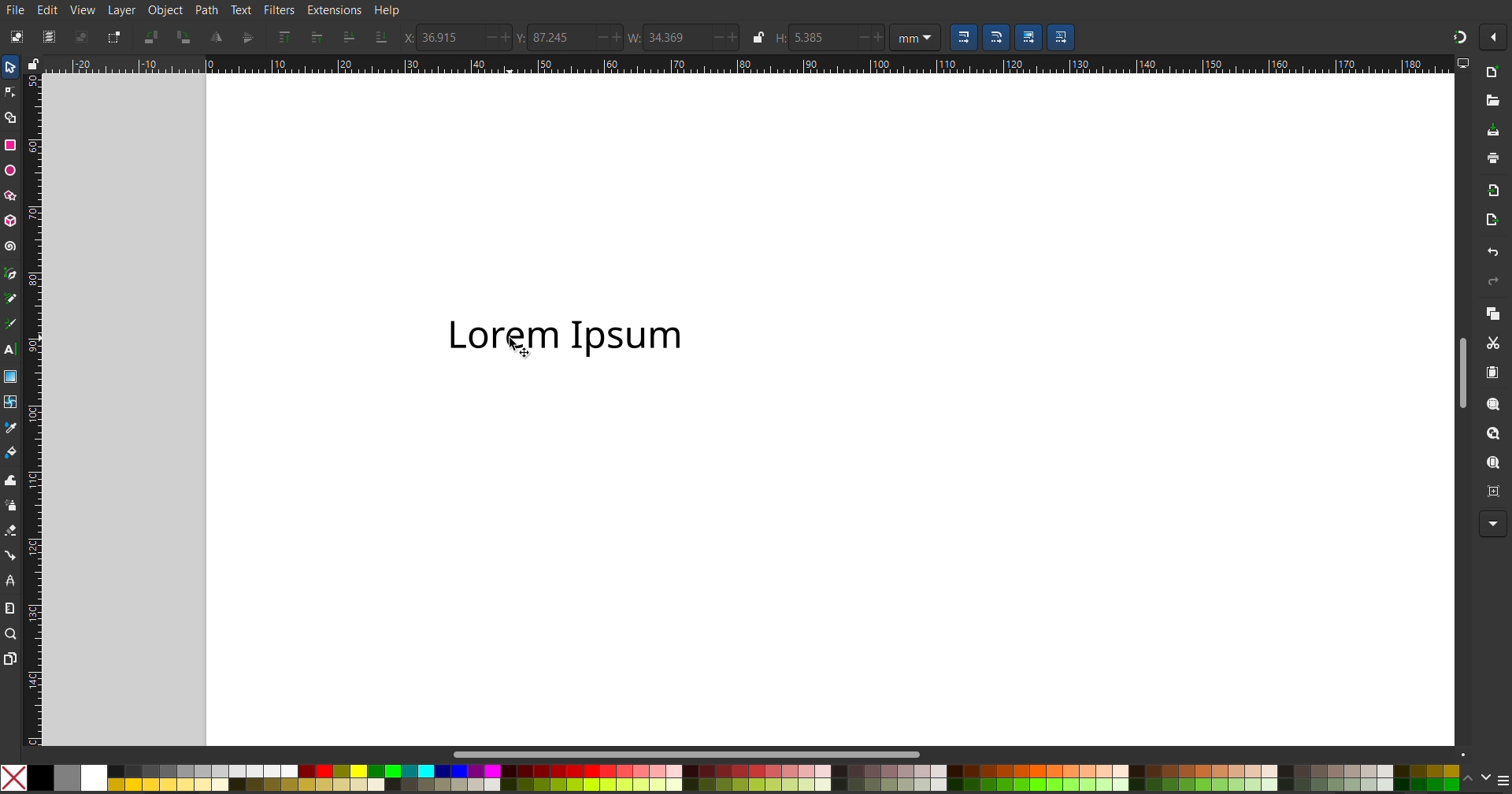 Image resolution: width=1512 pixels, height=794 pixels. I want to click on Fill Color, so click(13, 452).